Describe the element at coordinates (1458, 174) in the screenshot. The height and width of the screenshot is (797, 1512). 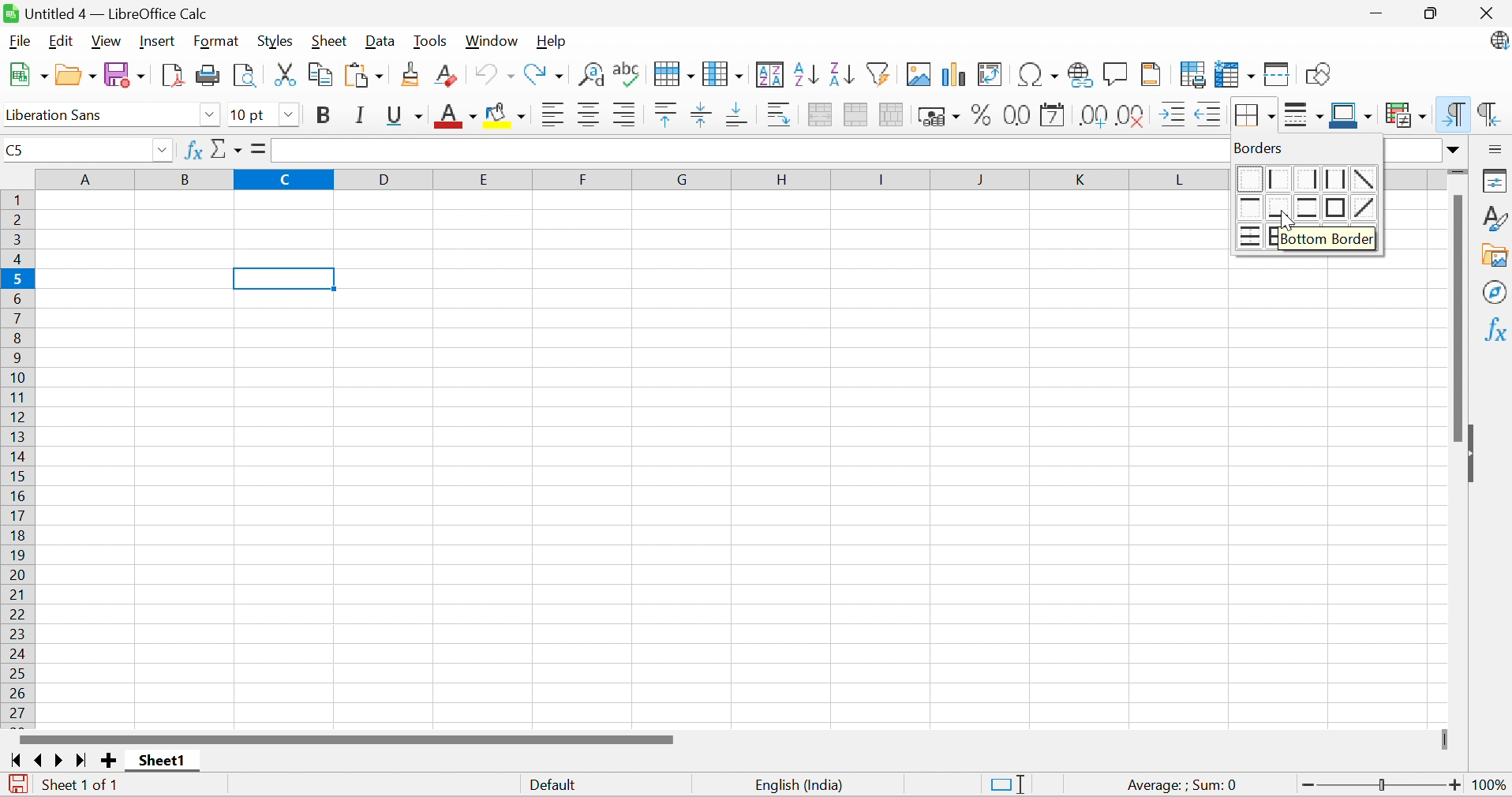
I see `Slider` at that location.